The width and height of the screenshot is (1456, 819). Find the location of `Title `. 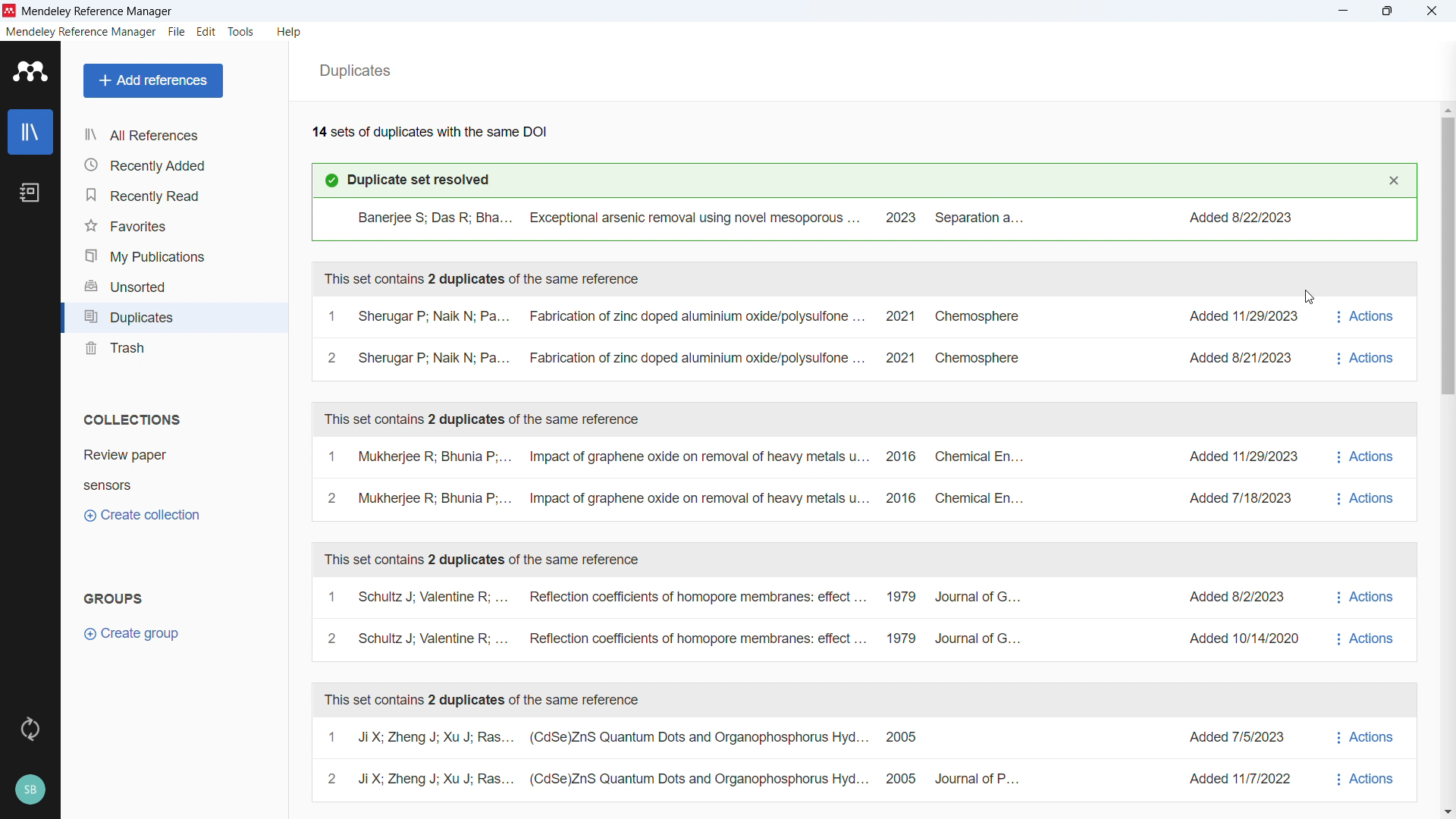

Title  is located at coordinates (99, 12).